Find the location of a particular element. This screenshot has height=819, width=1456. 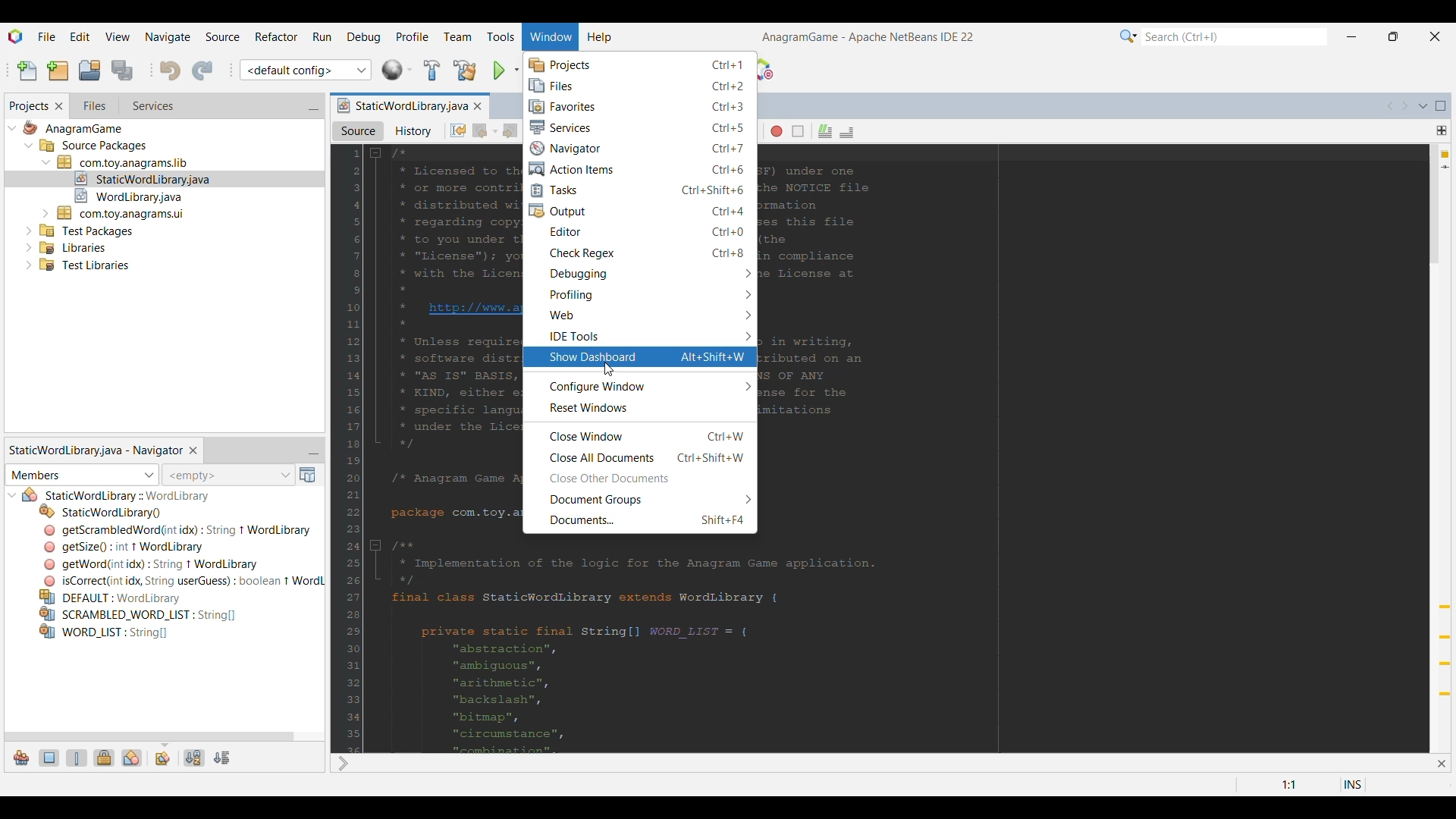

Check regex is located at coordinates (640, 253).